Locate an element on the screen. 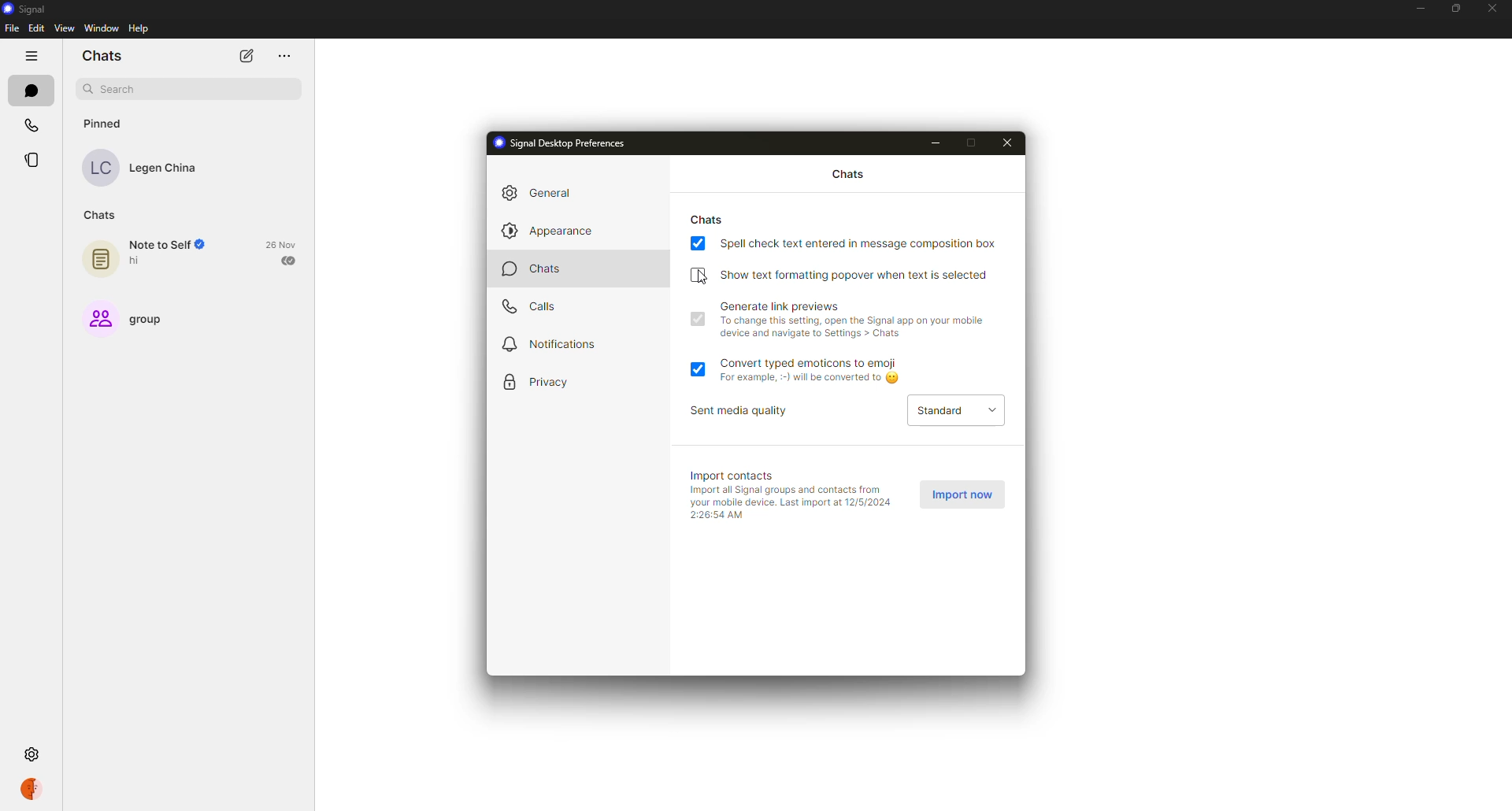 The width and height of the screenshot is (1512, 811). disabled is located at coordinates (698, 274).